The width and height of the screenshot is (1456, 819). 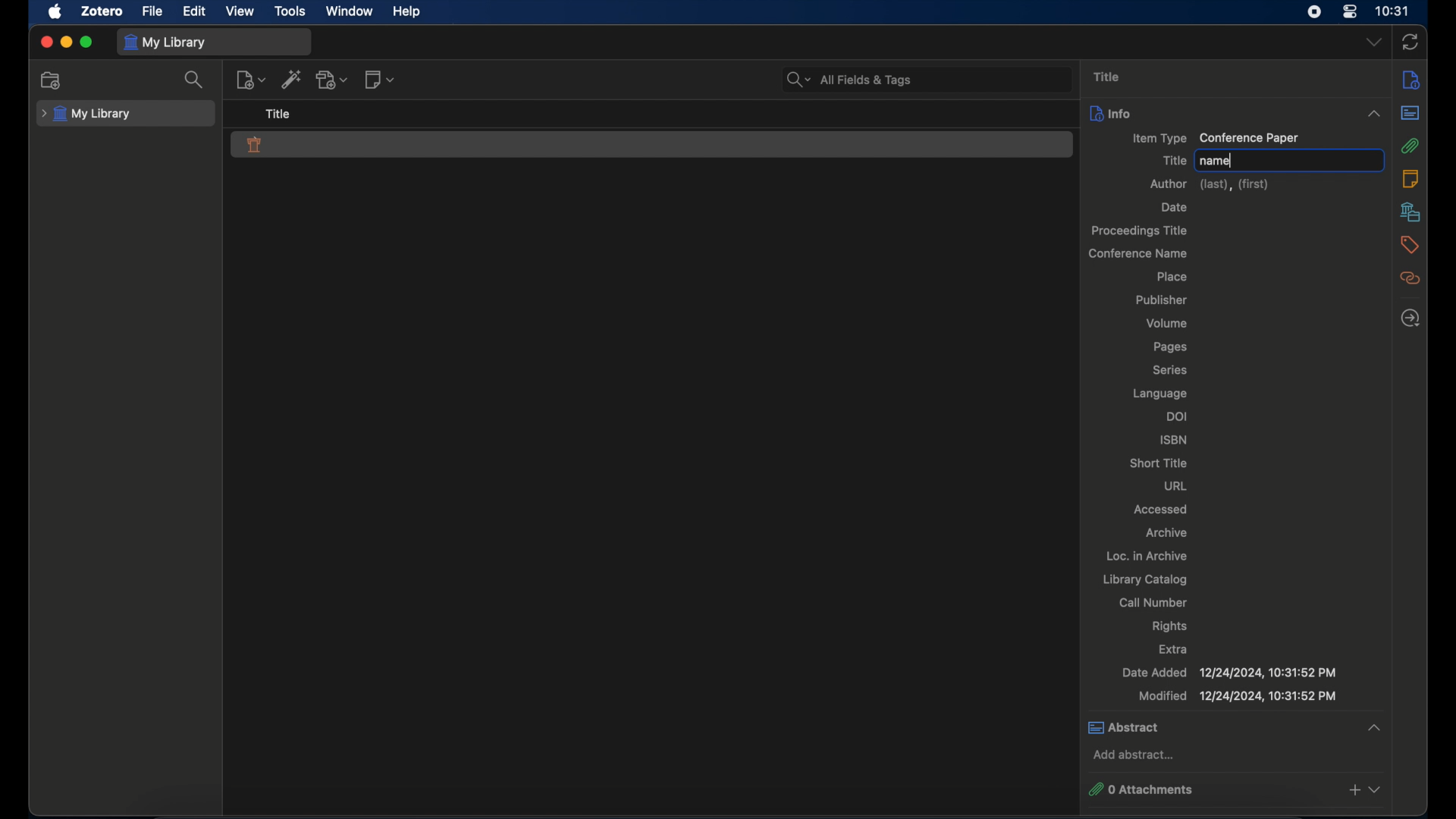 What do you see at coordinates (1409, 245) in the screenshot?
I see `tags` at bounding box center [1409, 245].